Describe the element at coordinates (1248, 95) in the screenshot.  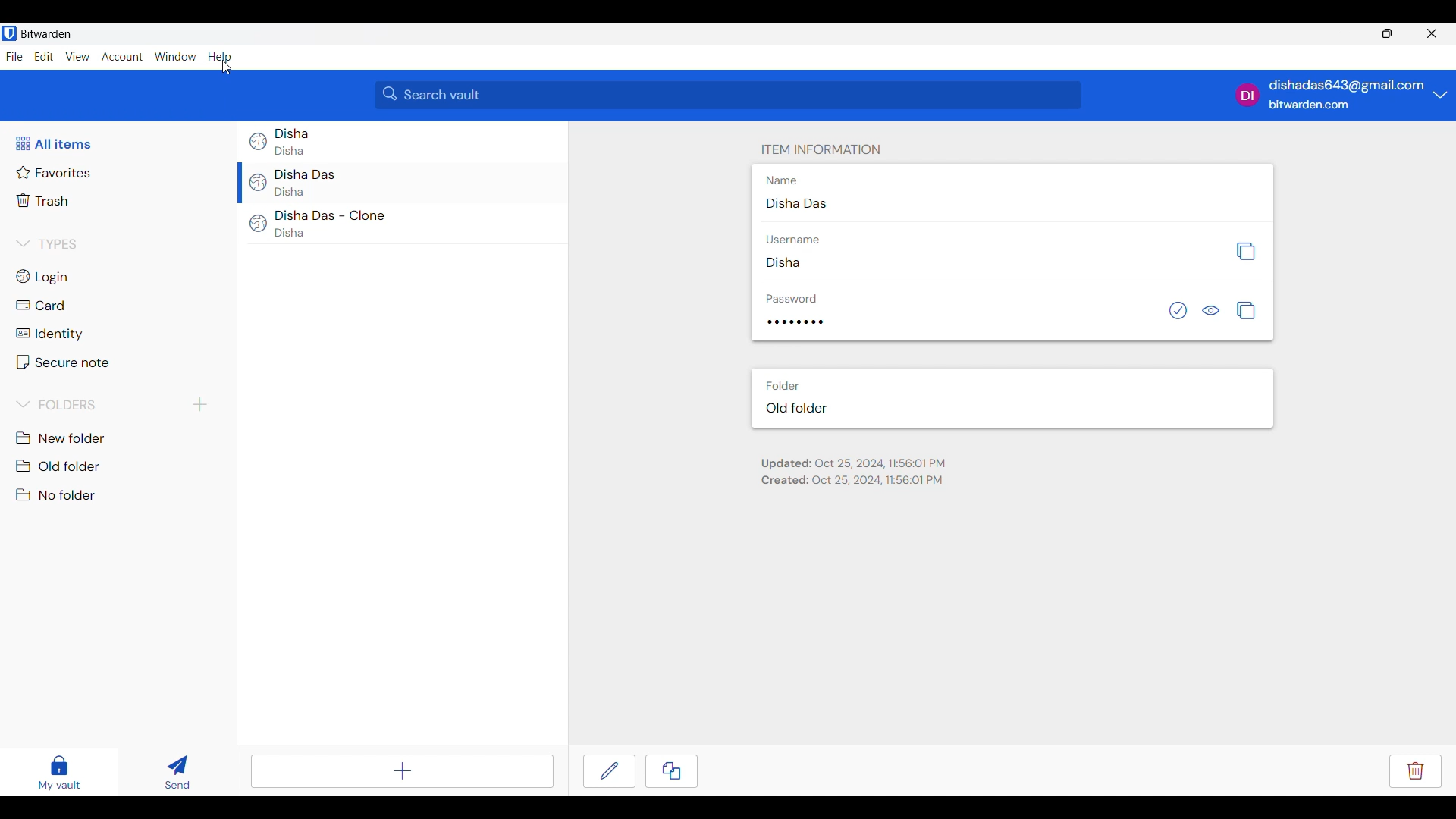
I see `Profile image` at that location.